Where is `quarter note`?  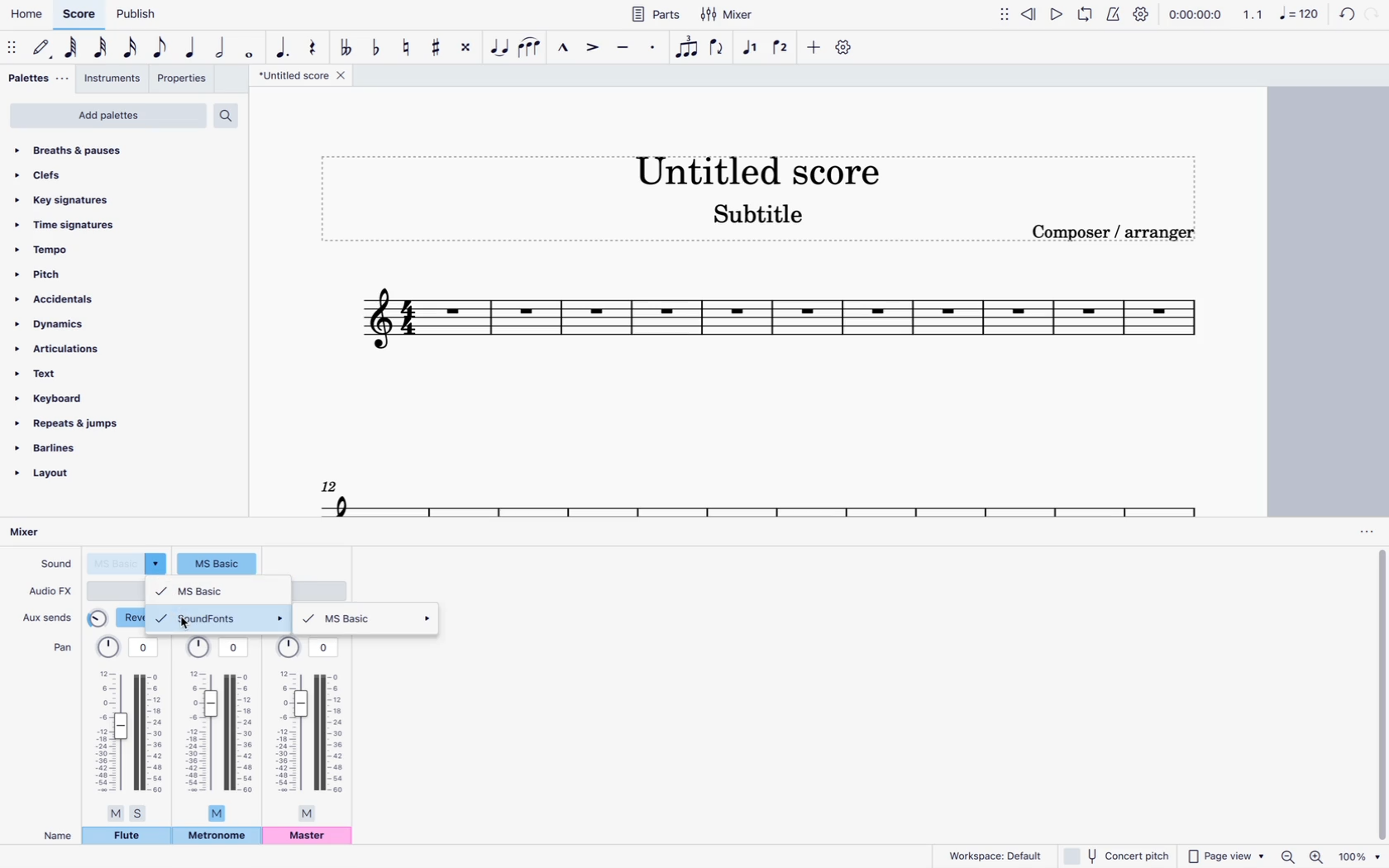 quarter note is located at coordinates (193, 49).